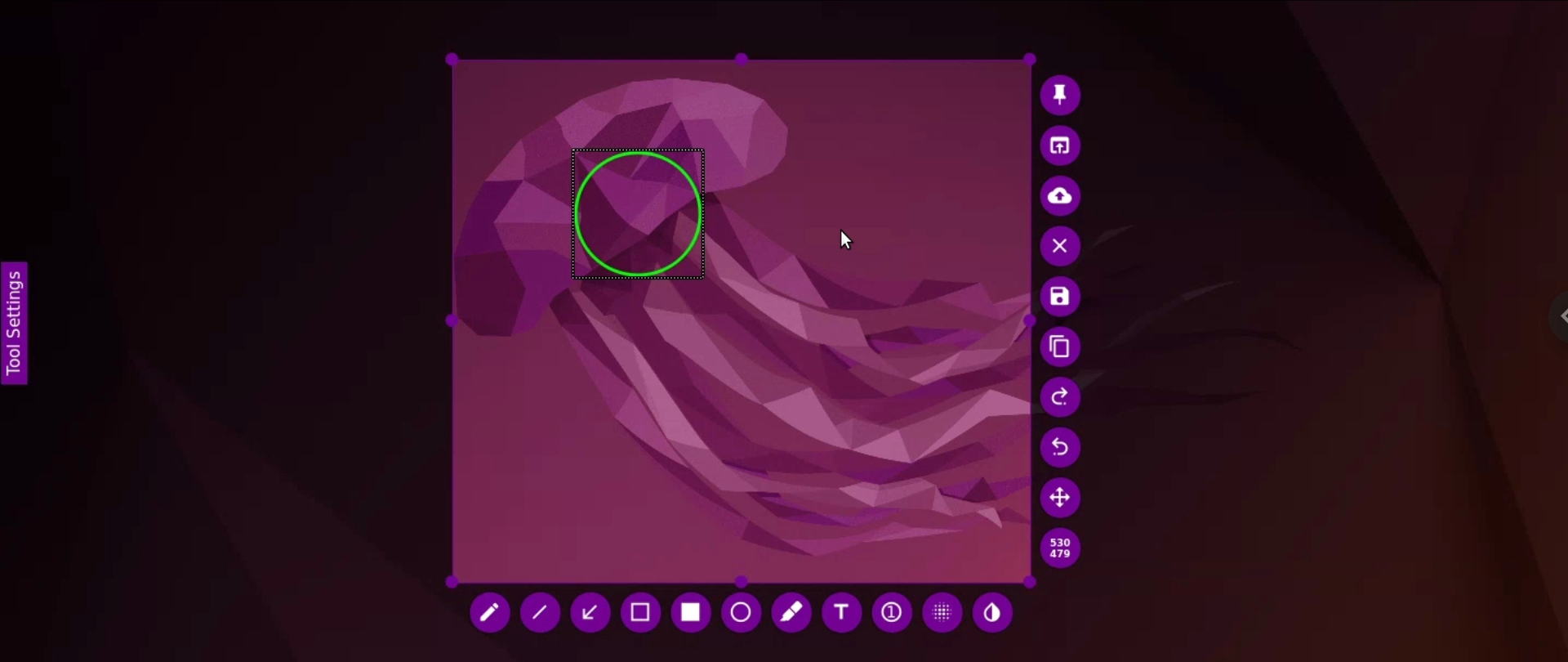 The width and height of the screenshot is (1568, 662). Describe the element at coordinates (1060, 296) in the screenshot. I see `save` at that location.